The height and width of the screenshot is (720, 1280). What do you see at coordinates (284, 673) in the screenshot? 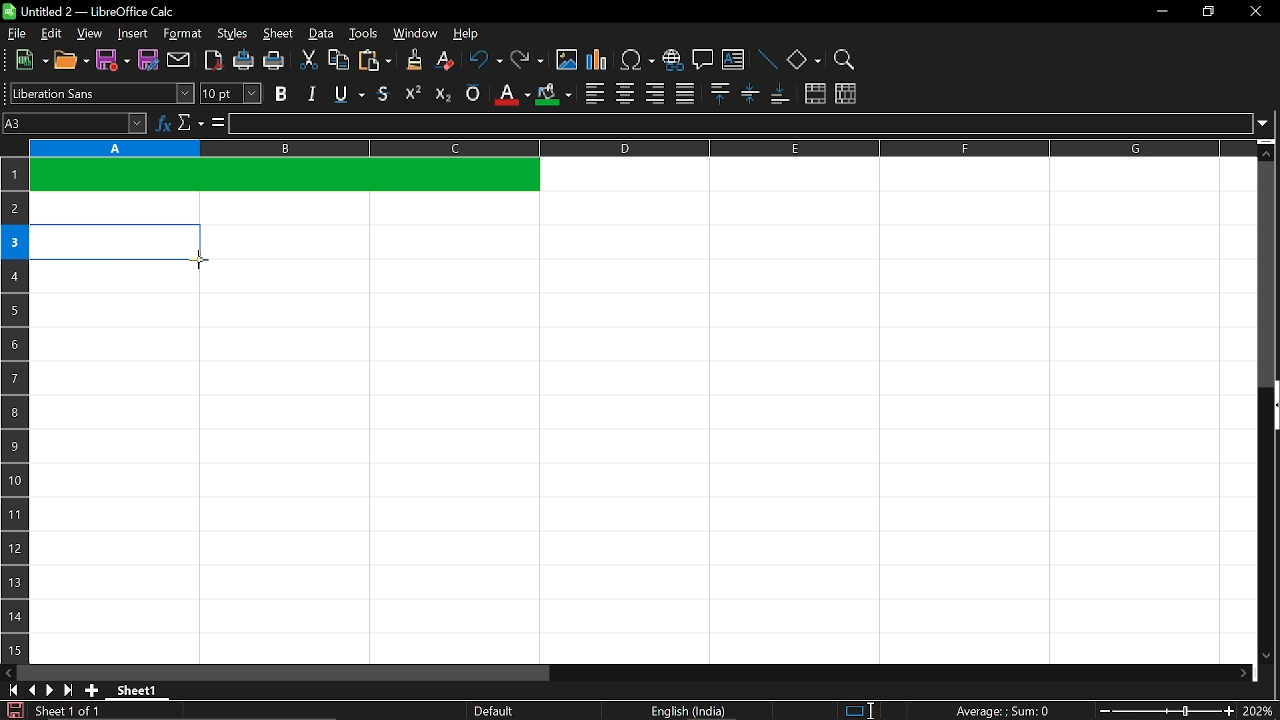
I see `horizontal scrollbar` at bounding box center [284, 673].